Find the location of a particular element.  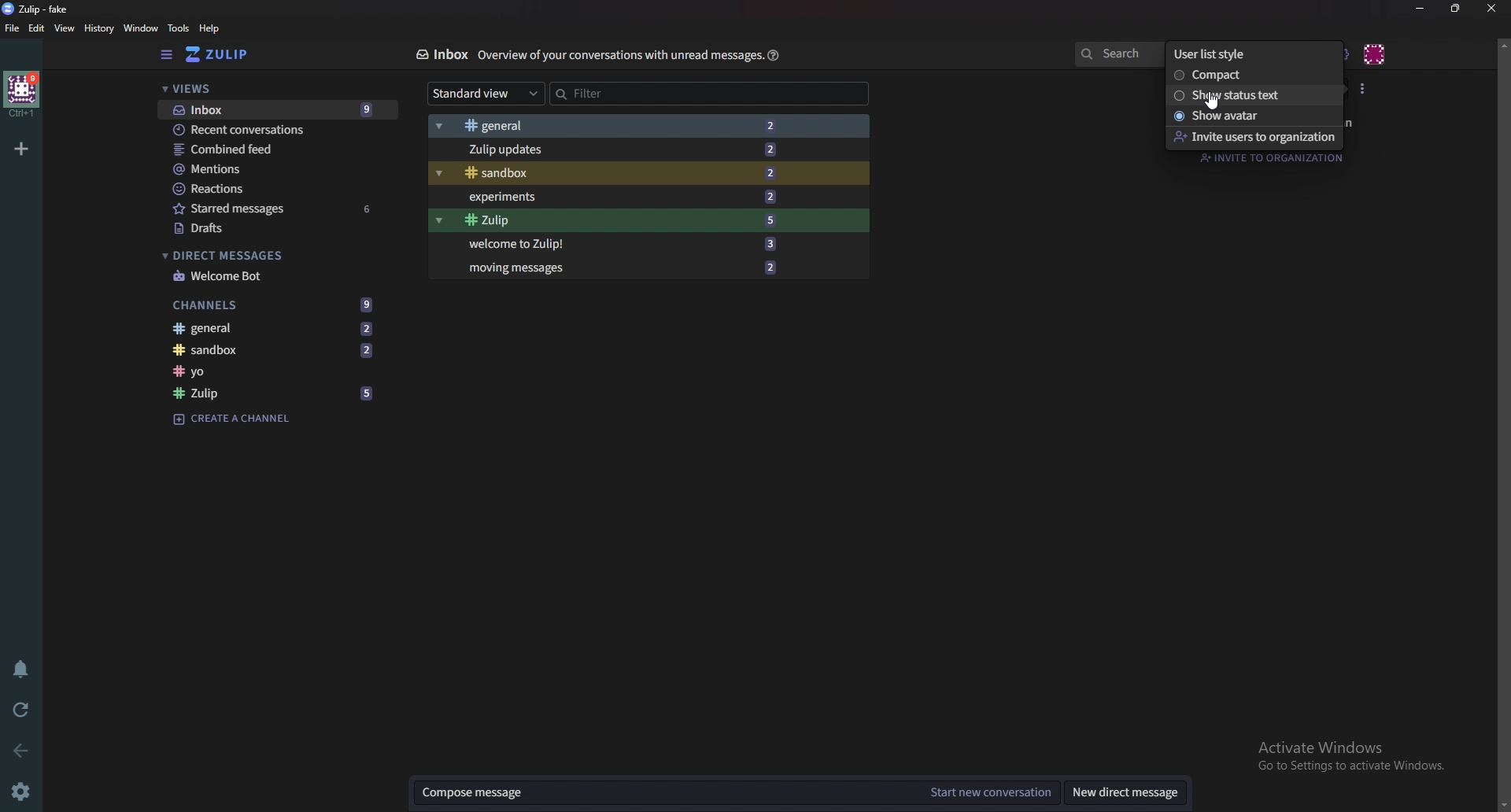

Inbox is located at coordinates (439, 57).